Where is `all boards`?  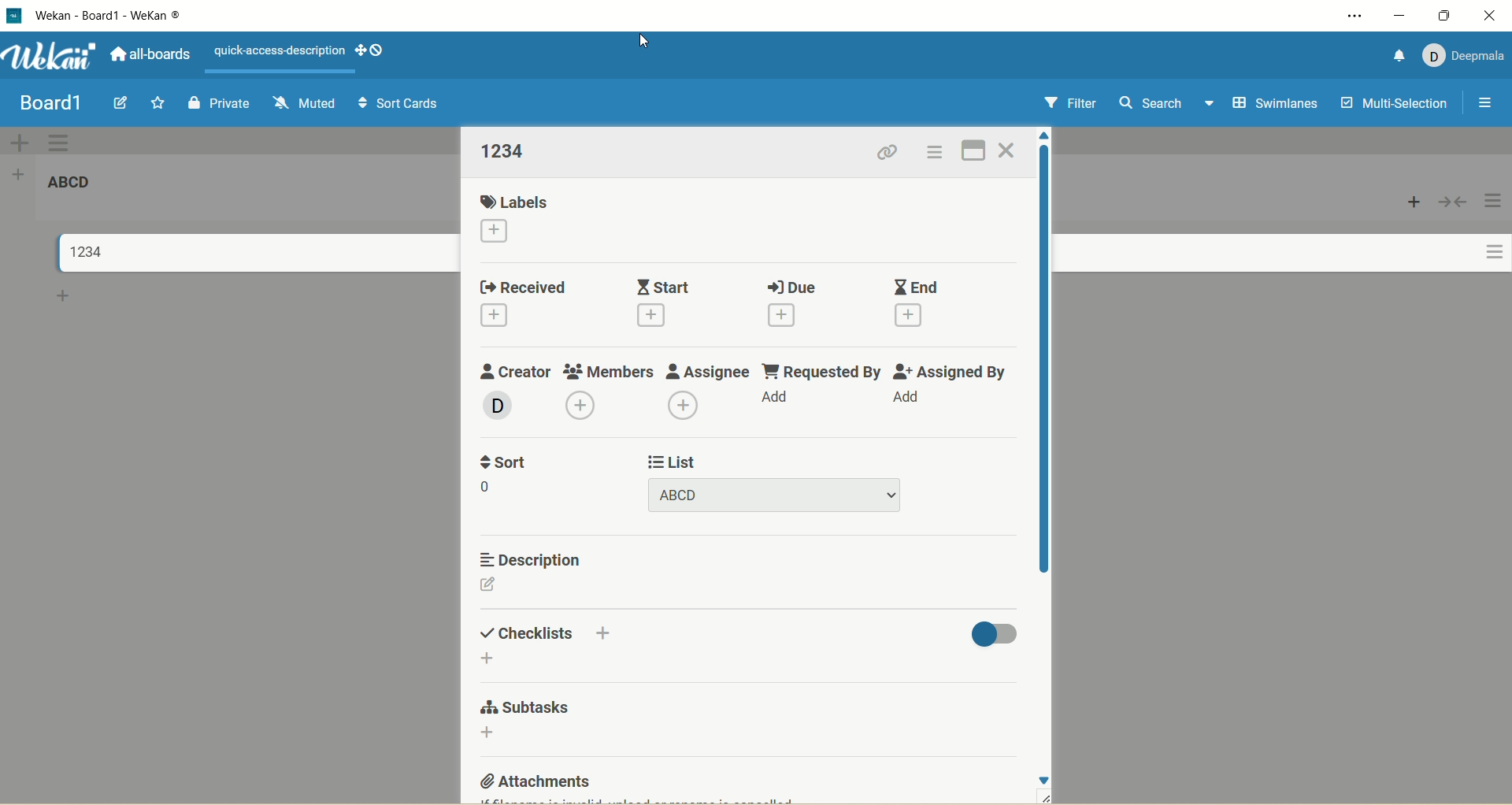
all boards is located at coordinates (147, 54).